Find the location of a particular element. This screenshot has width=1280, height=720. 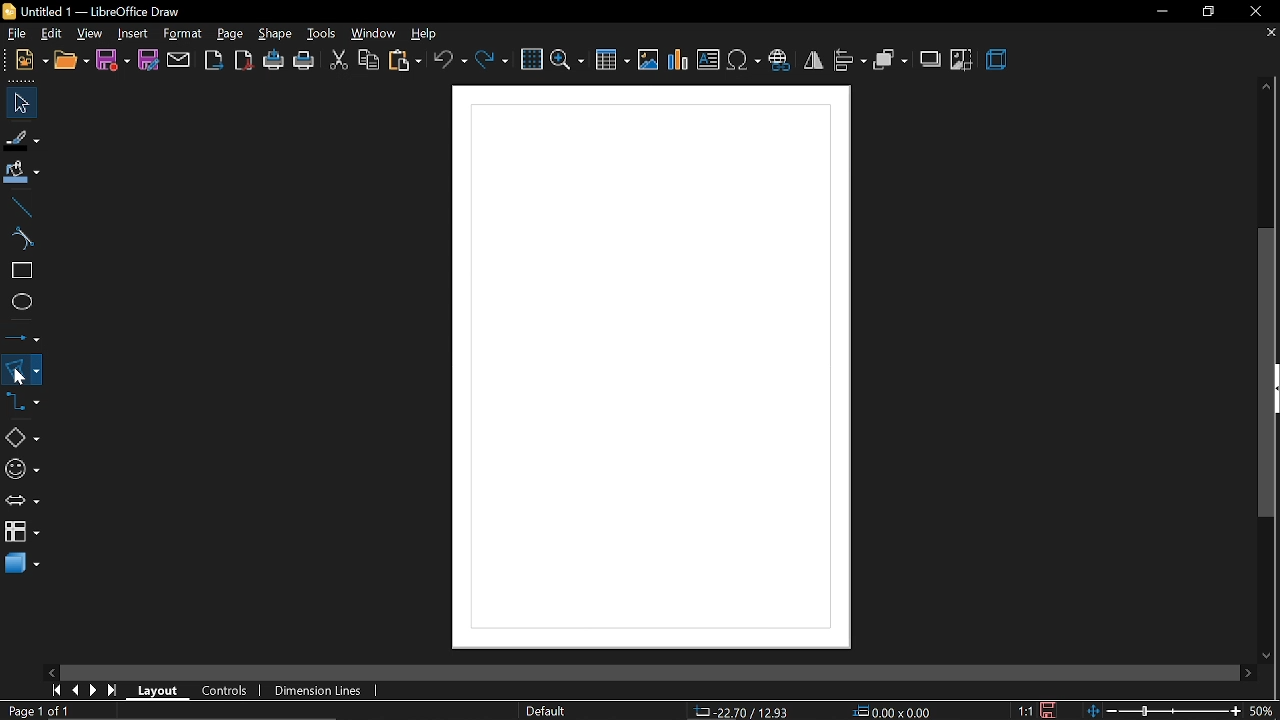

shadow is located at coordinates (932, 58).